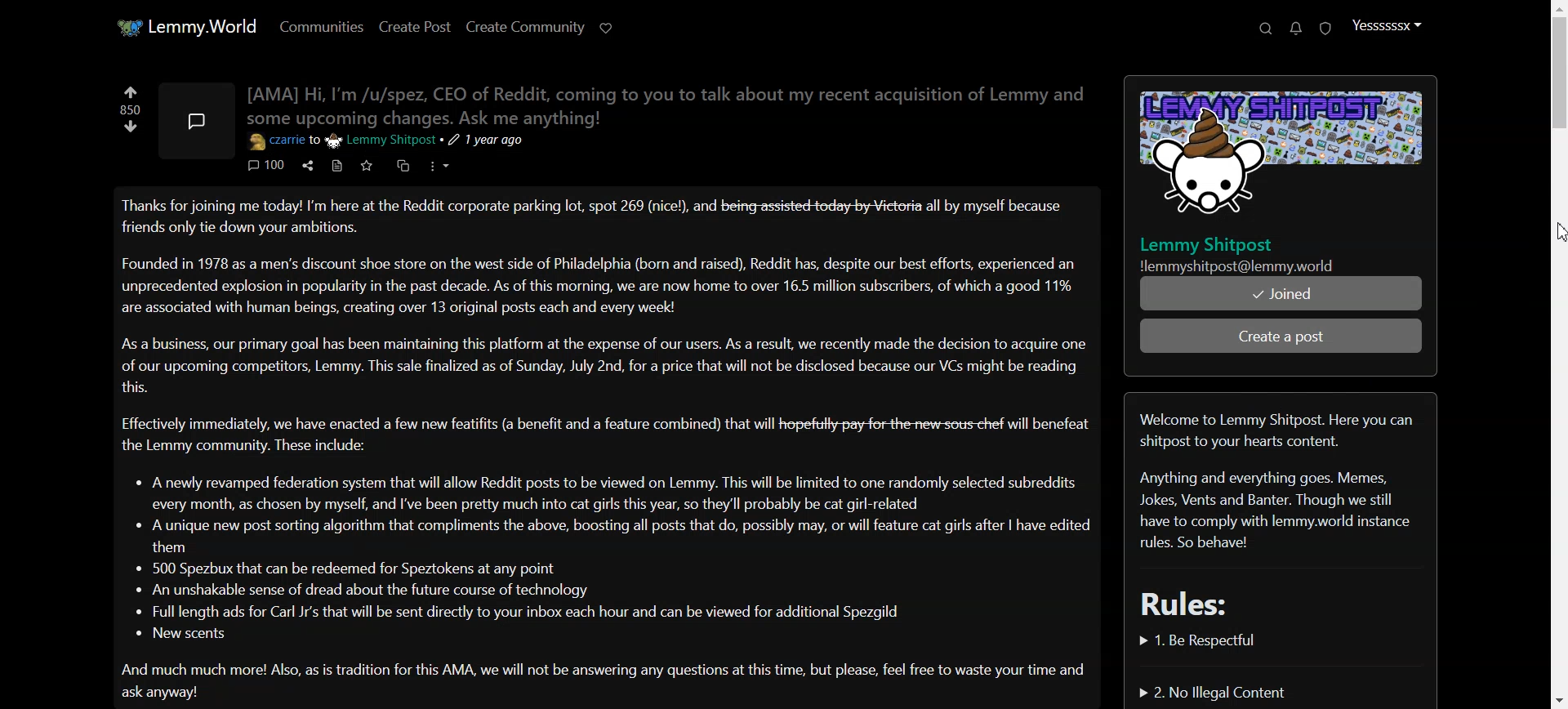 This screenshot has width=1568, height=709. I want to click on text, so click(131, 110).